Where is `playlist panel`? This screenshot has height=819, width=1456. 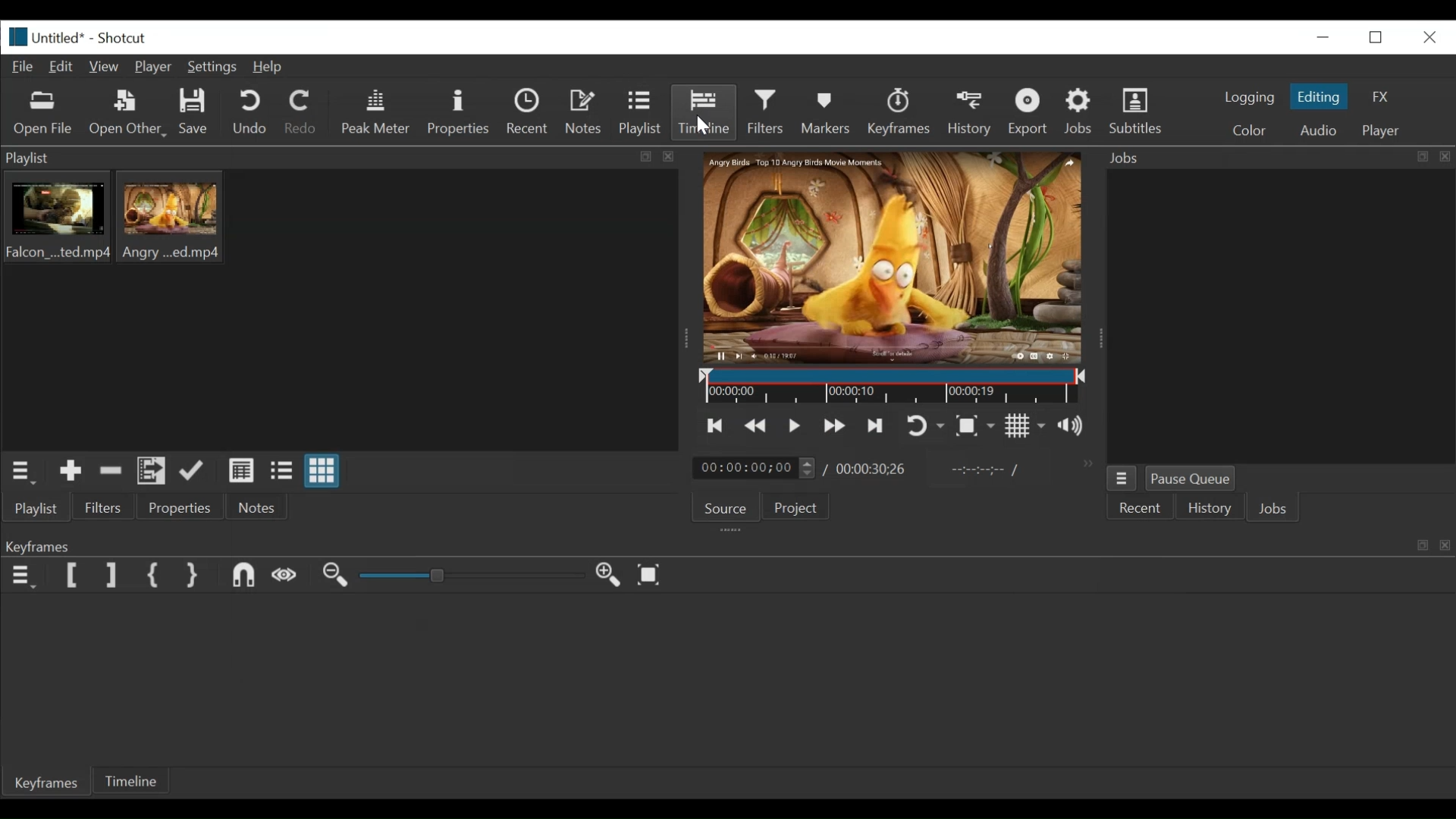
playlist panel is located at coordinates (334, 158).